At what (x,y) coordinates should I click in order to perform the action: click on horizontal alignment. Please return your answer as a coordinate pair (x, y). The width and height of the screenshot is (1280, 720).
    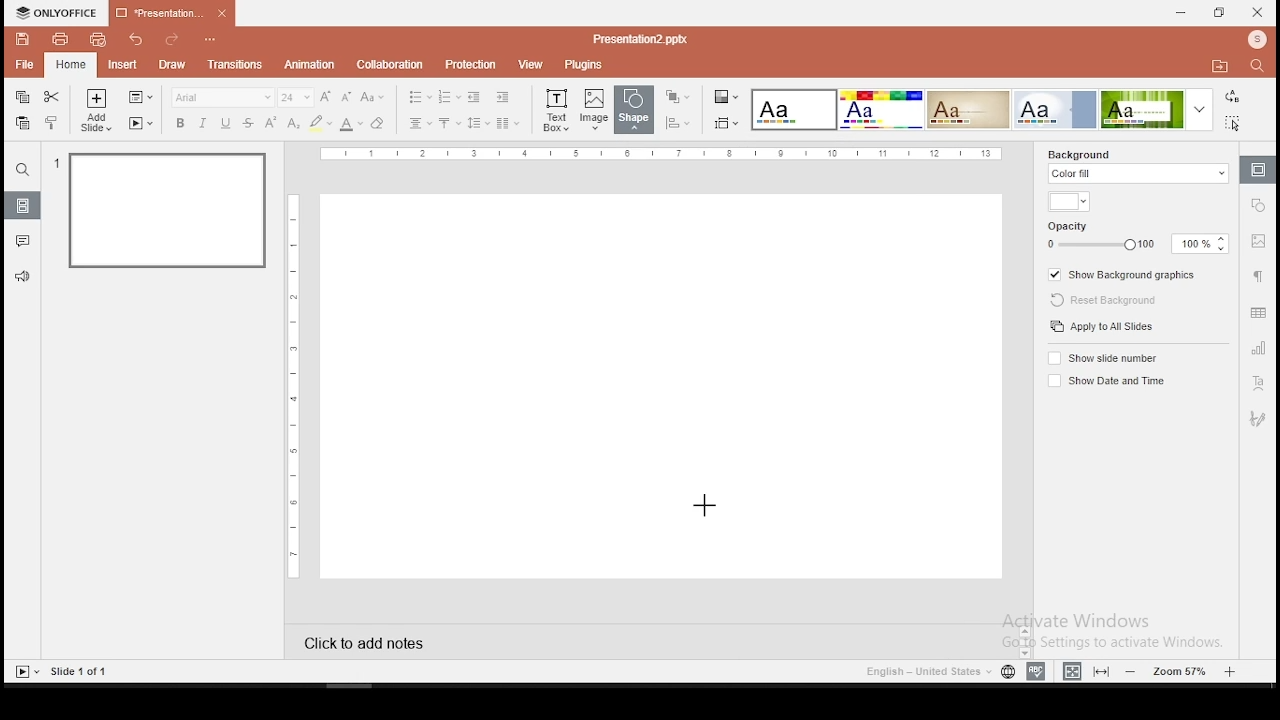
    Looking at the image, I should click on (420, 124).